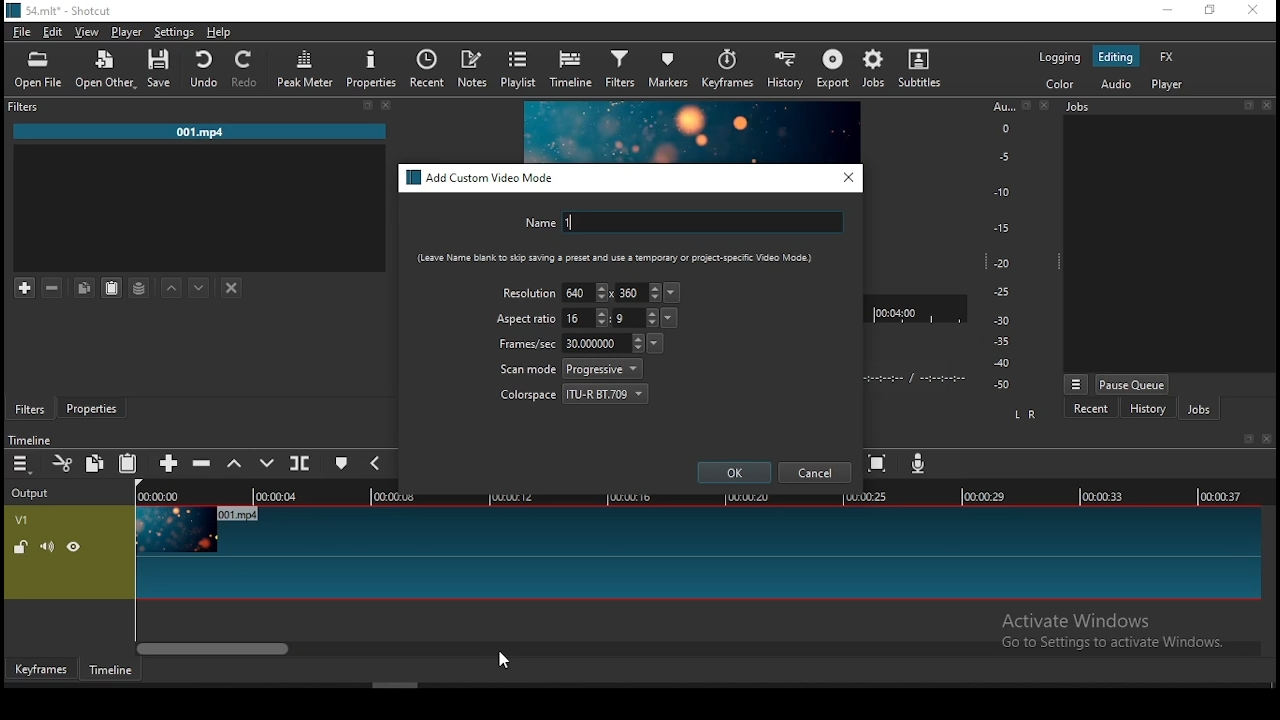 The image size is (1280, 720). What do you see at coordinates (367, 106) in the screenshot?
I see `restore` at bounding box center [367, 106].